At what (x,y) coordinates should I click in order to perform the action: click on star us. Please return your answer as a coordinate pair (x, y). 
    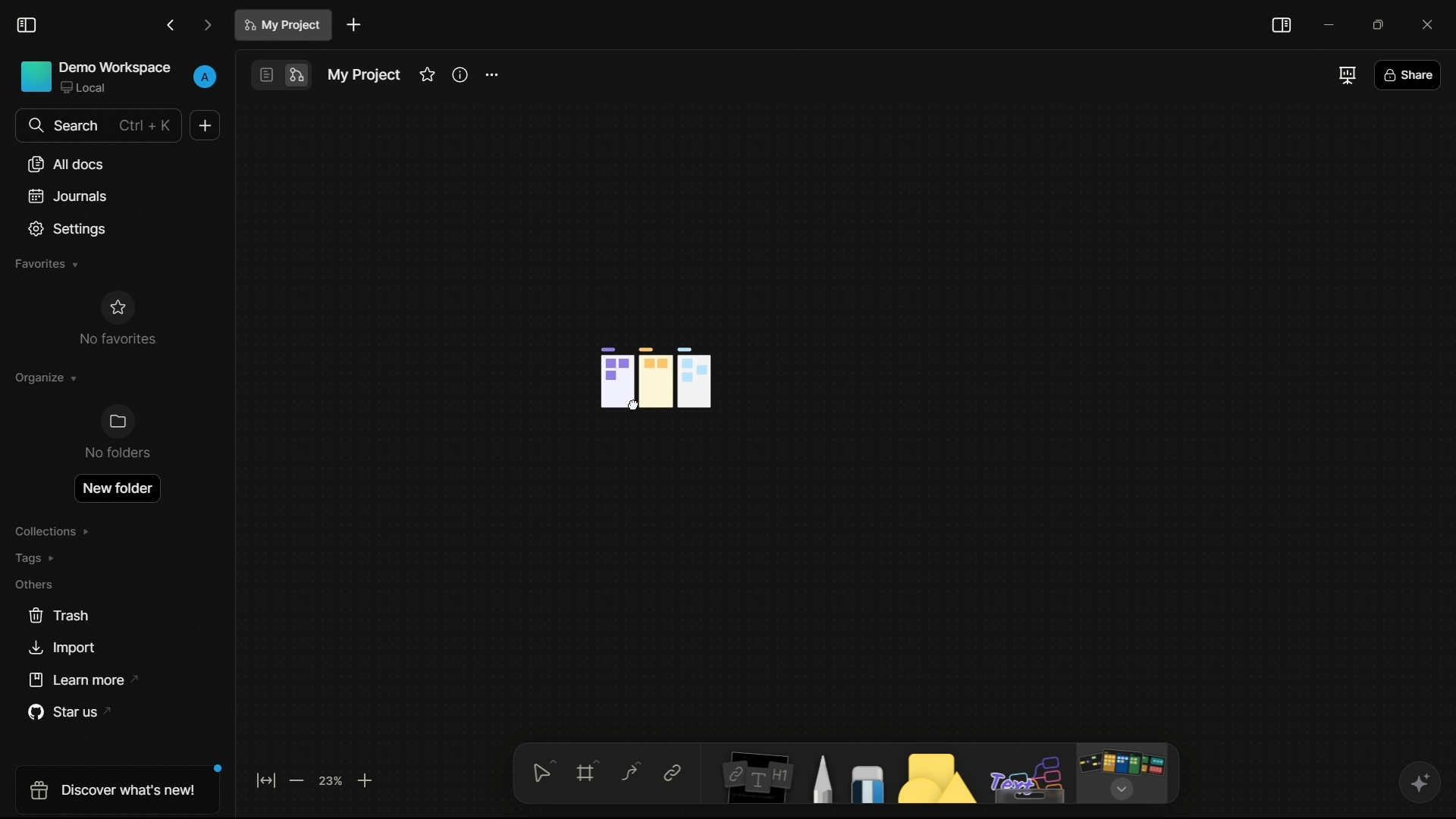
    Looking at the image, I should click on (74, 713).